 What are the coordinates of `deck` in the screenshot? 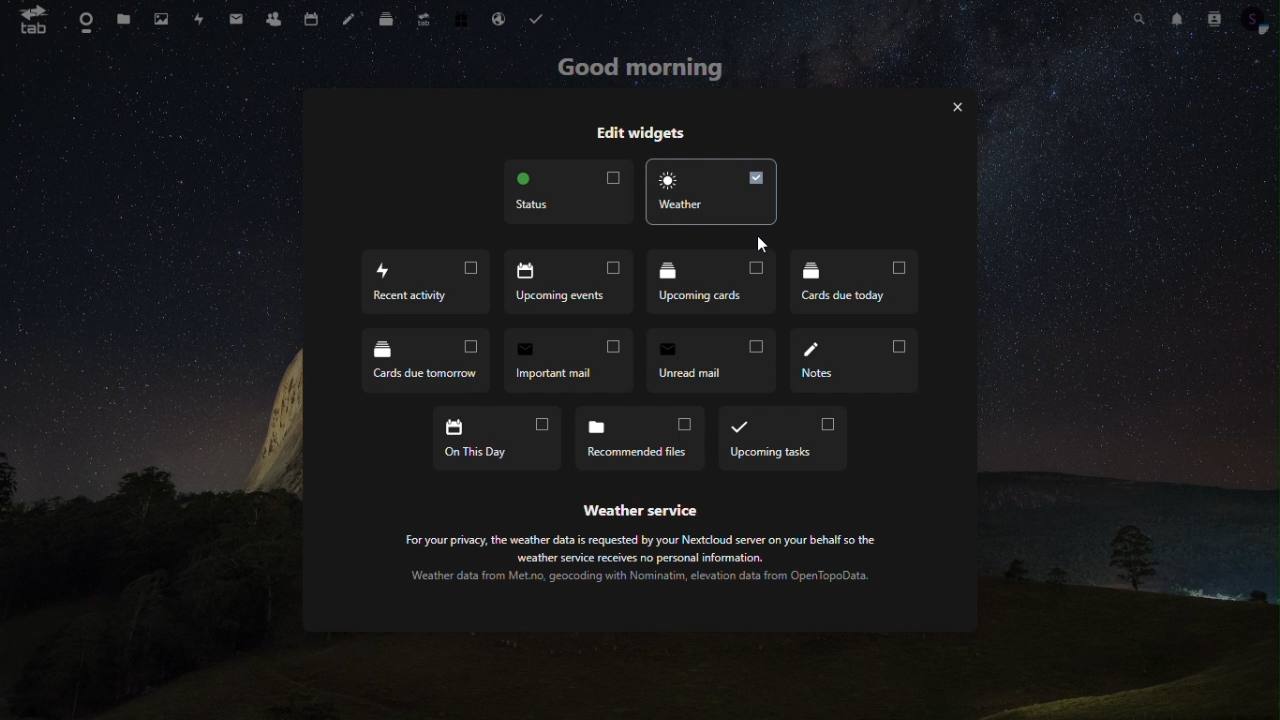 It's located at (388, 20).